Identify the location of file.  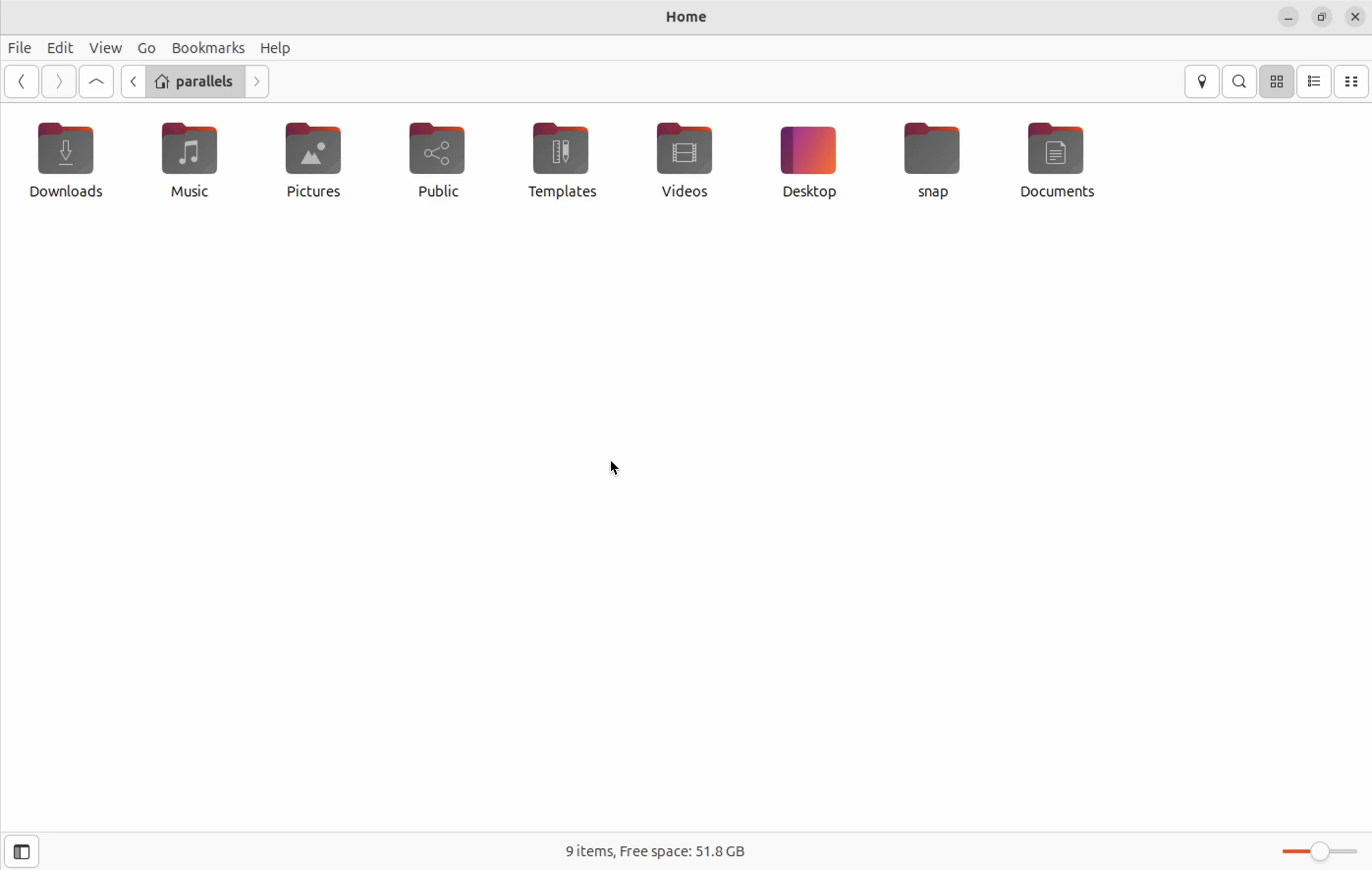
(20, 47).